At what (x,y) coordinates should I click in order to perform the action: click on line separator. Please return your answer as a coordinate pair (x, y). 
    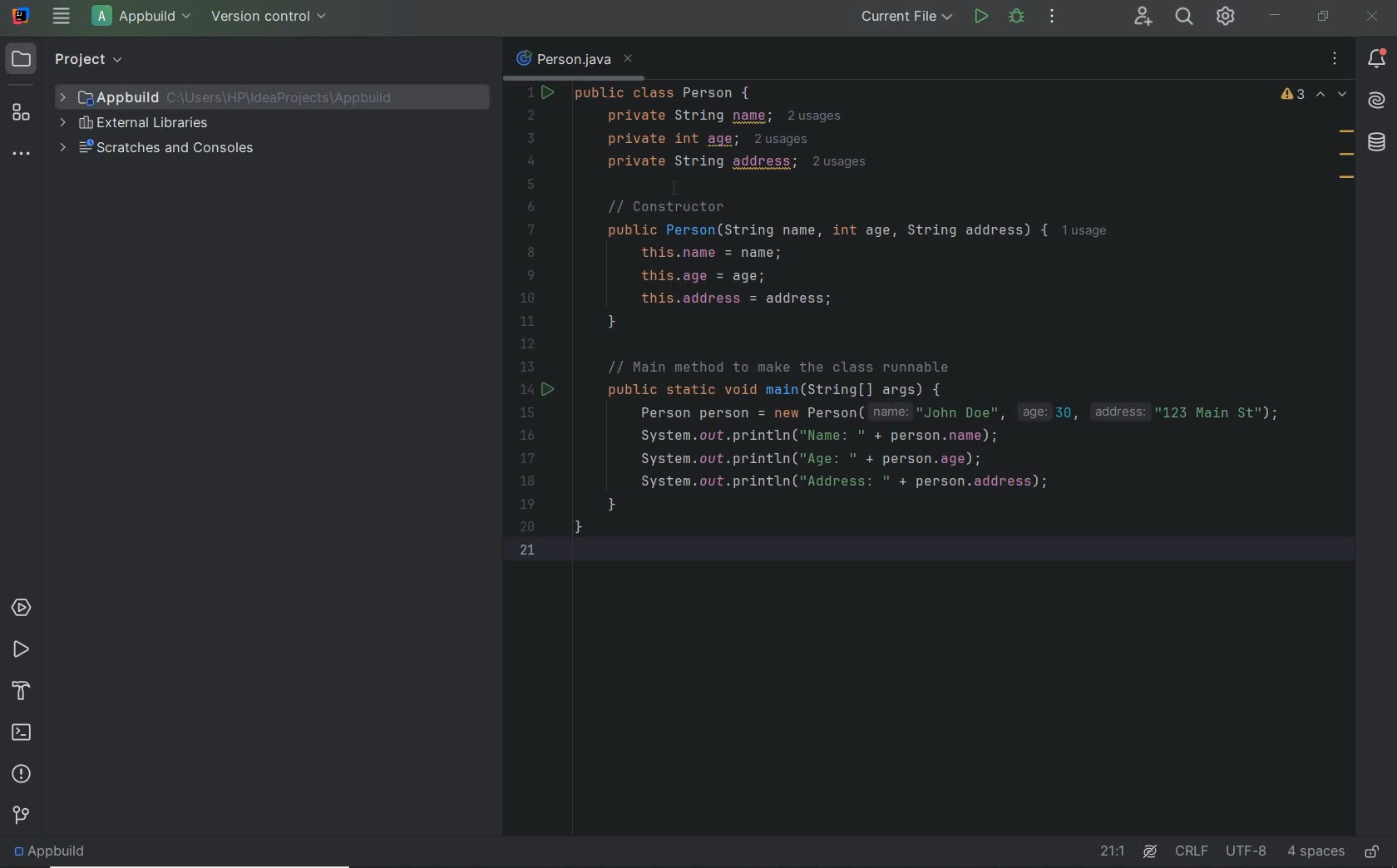
    Looking at the image, I should click on (1192, 852).